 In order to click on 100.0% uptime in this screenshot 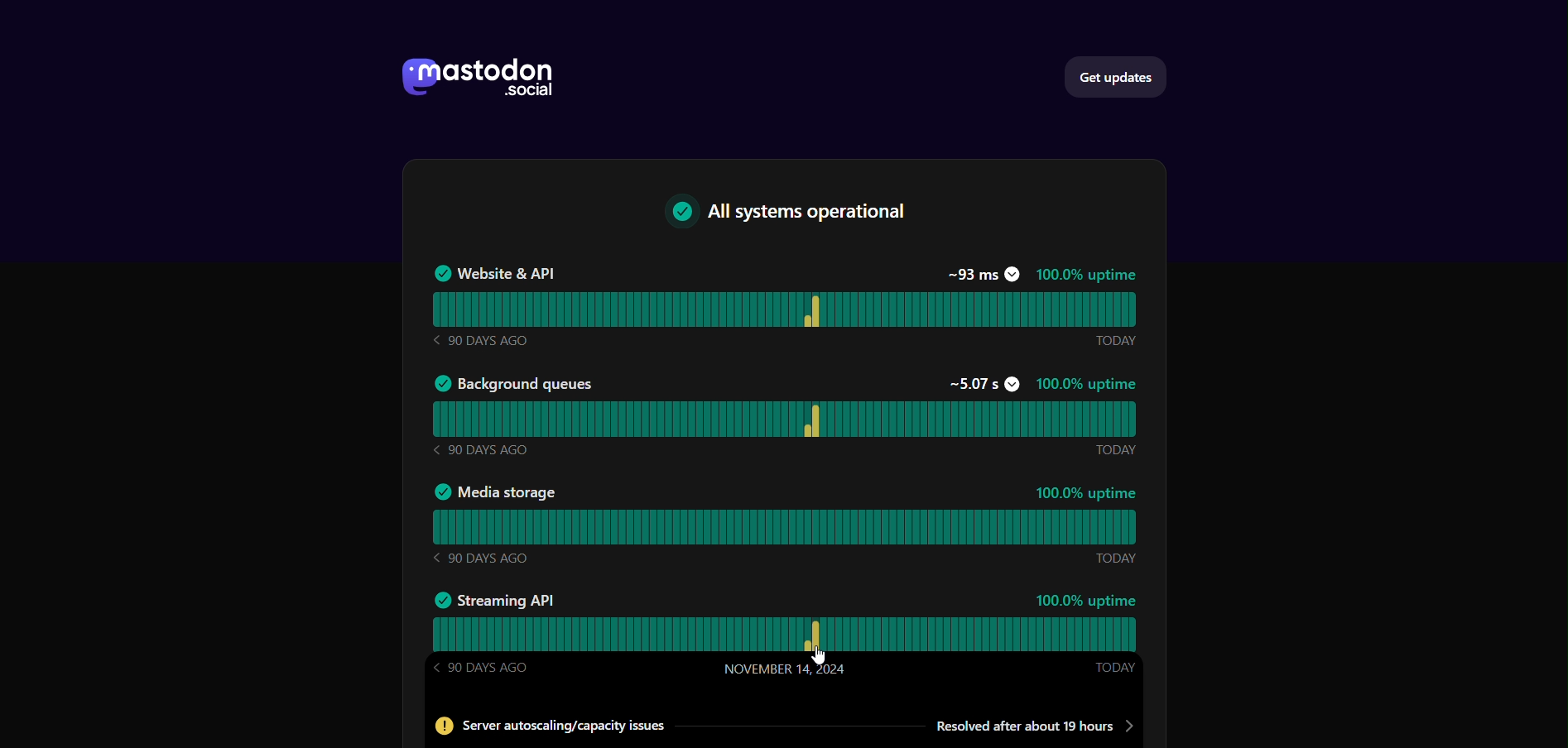, I will do `click(1088, 492)`.